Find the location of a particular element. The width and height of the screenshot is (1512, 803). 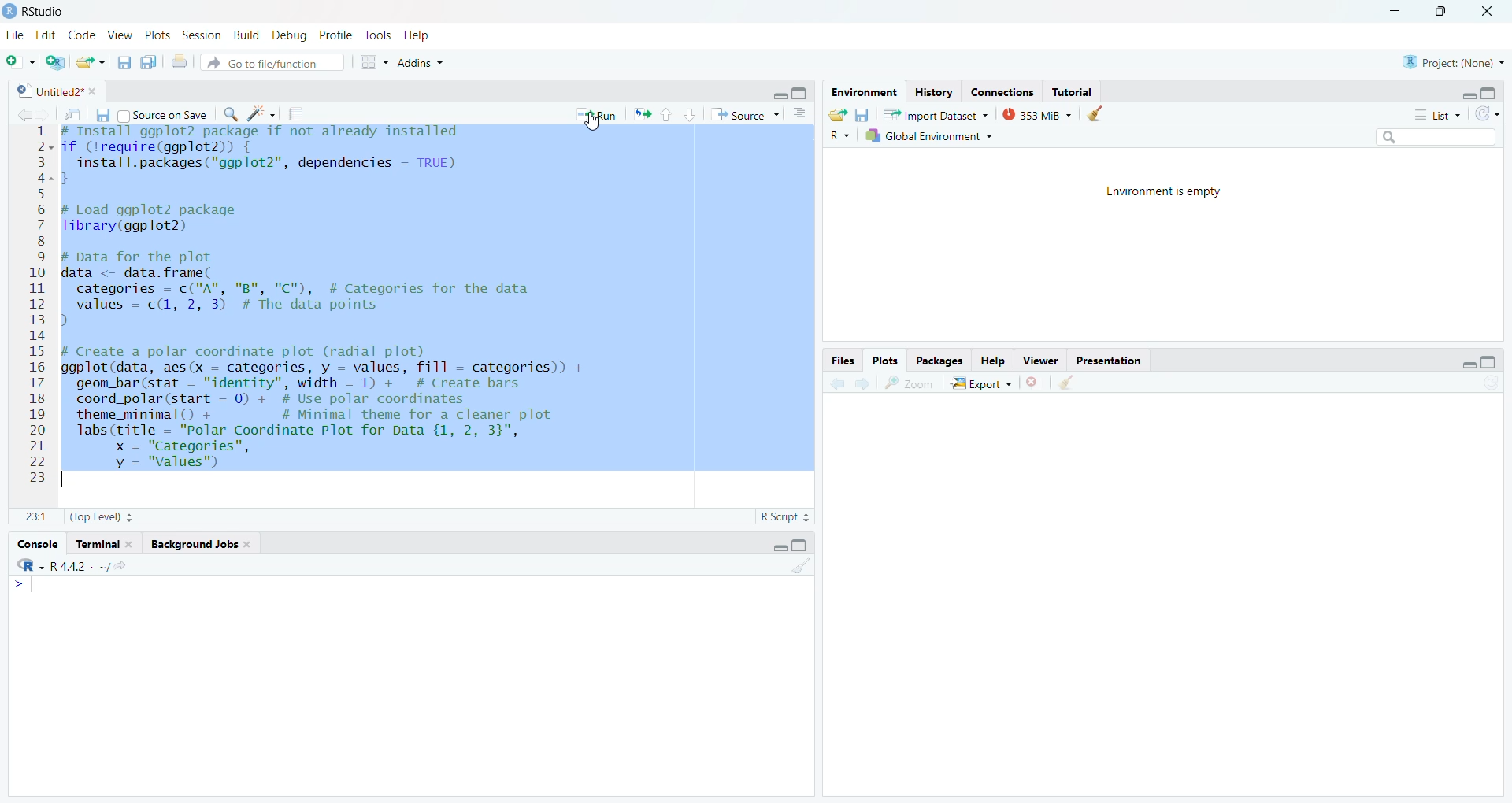

R~ is located at coordinates (838, 136).